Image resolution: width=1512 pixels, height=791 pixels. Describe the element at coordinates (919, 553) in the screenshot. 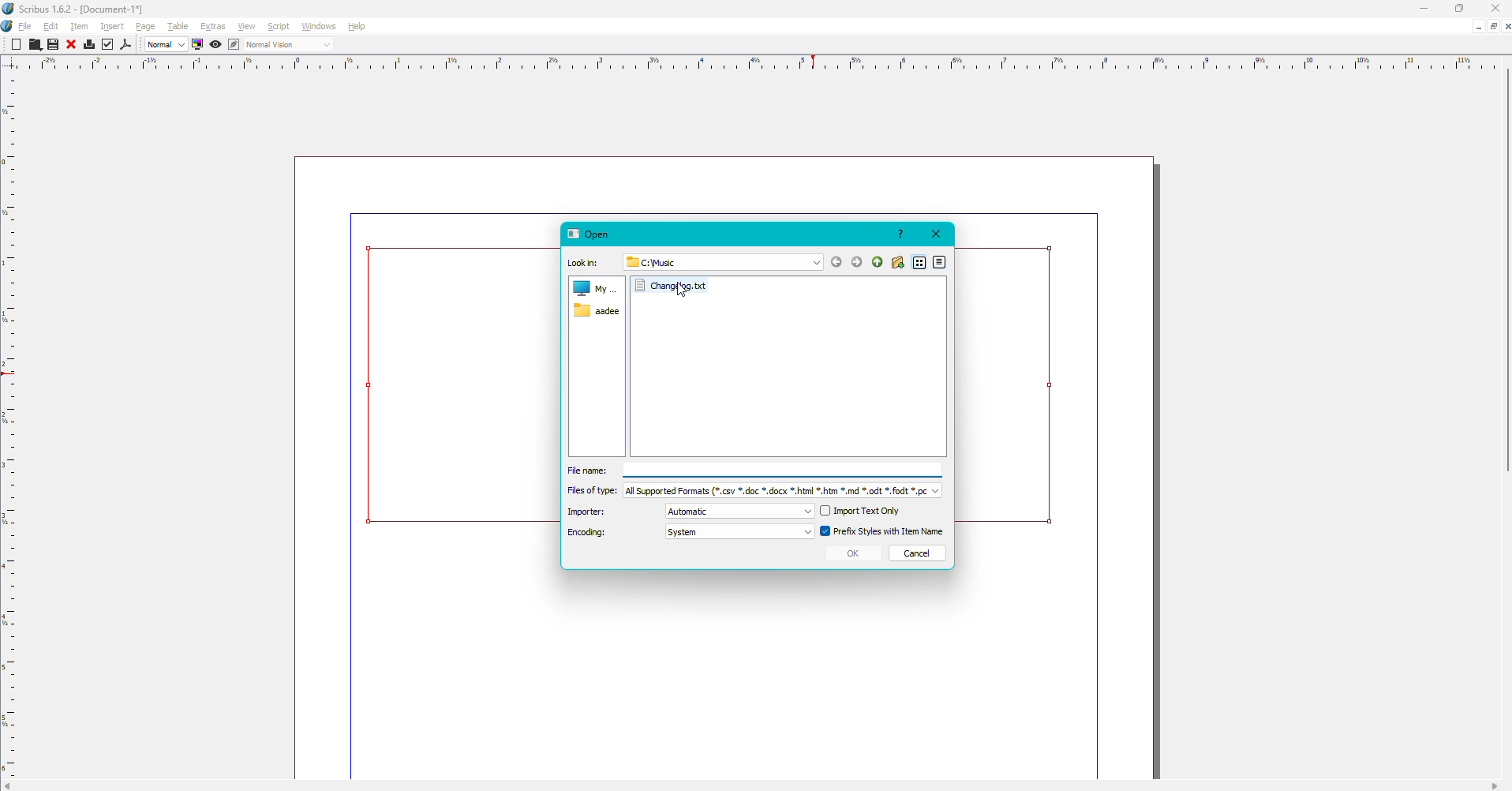

I see `Cancel` at that location.